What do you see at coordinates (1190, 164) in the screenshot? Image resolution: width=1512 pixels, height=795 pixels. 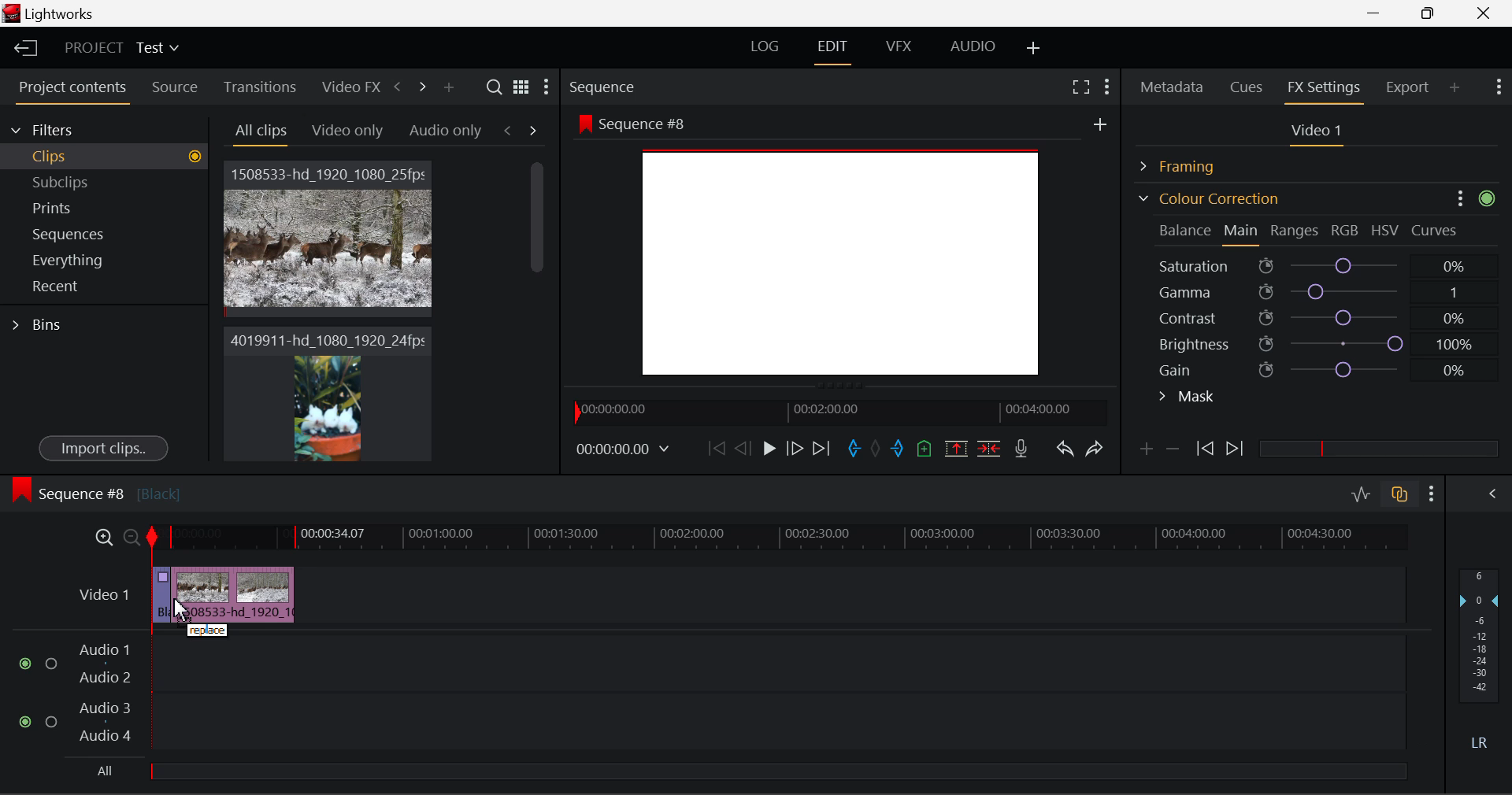 I see `Framing Section` at bounding box center [1190, 164].